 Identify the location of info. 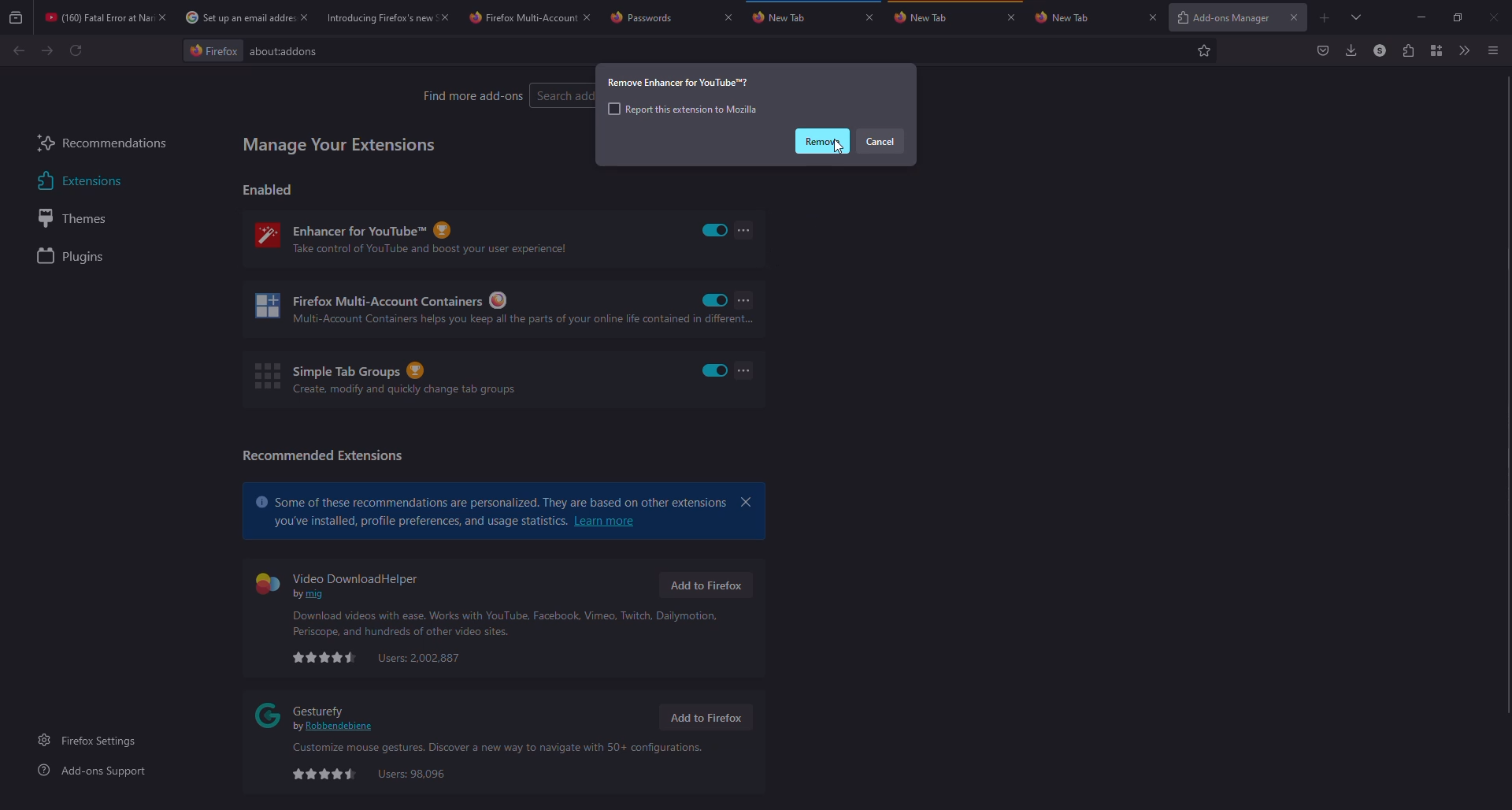
(508, 623).